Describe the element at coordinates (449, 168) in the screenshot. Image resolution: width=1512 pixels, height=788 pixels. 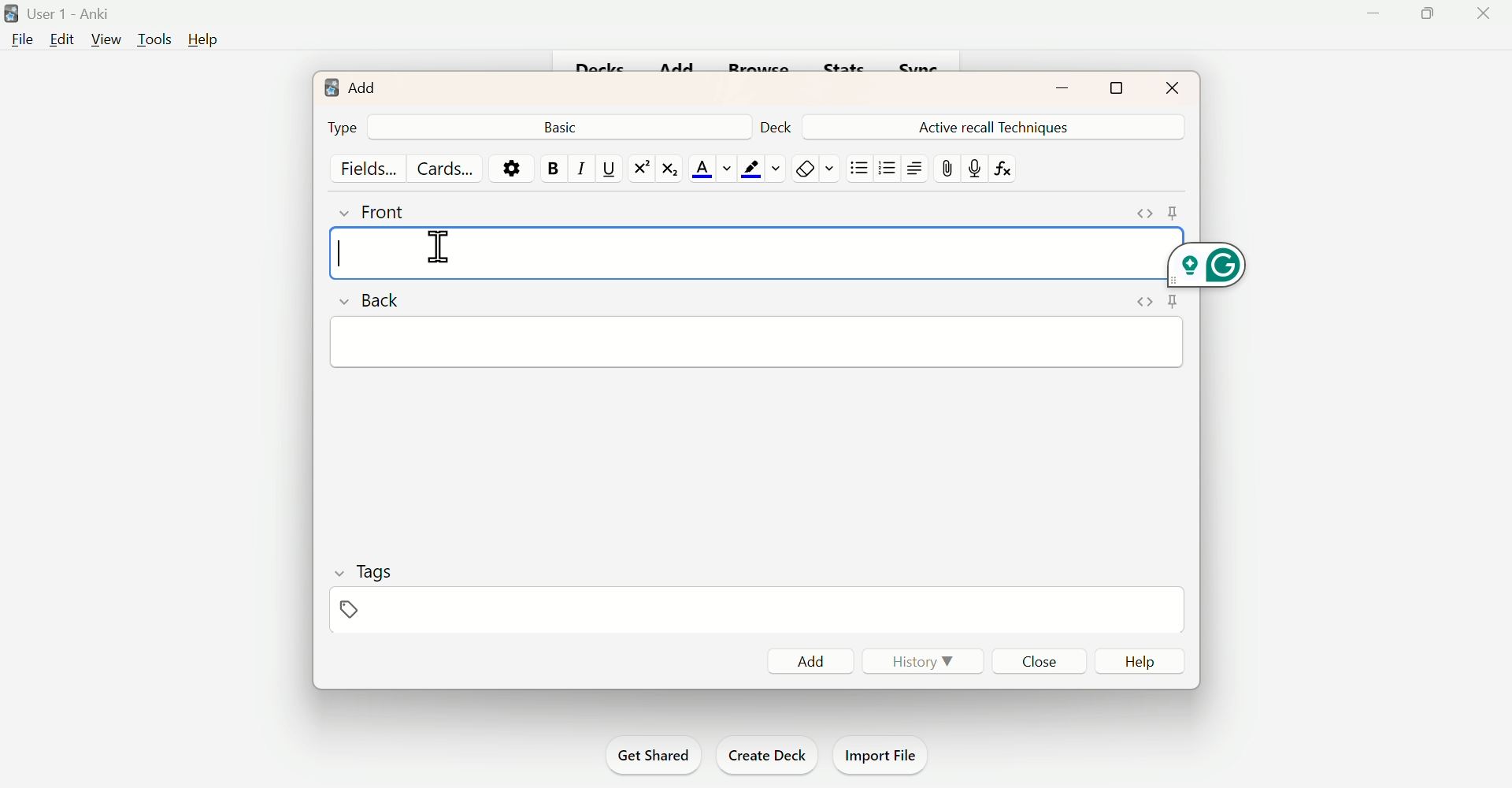
I see `Cards` at that location.